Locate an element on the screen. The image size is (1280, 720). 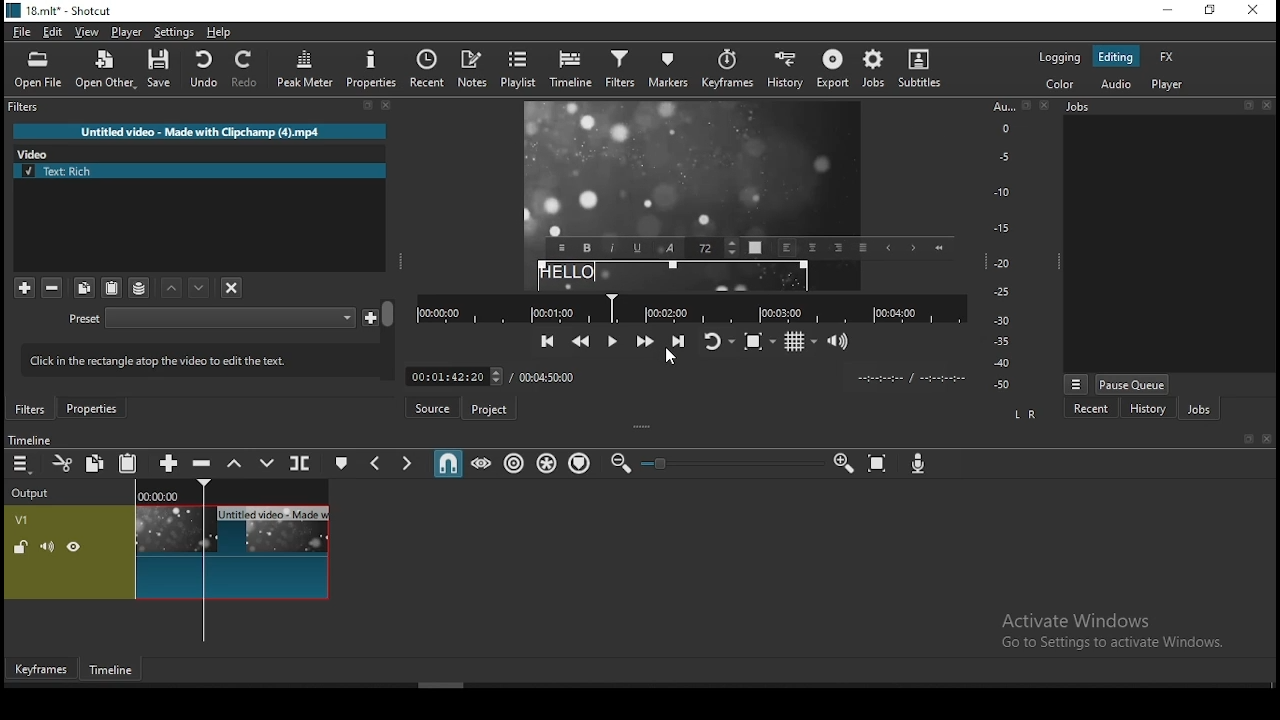
properties is located at coordinates (369, 69).